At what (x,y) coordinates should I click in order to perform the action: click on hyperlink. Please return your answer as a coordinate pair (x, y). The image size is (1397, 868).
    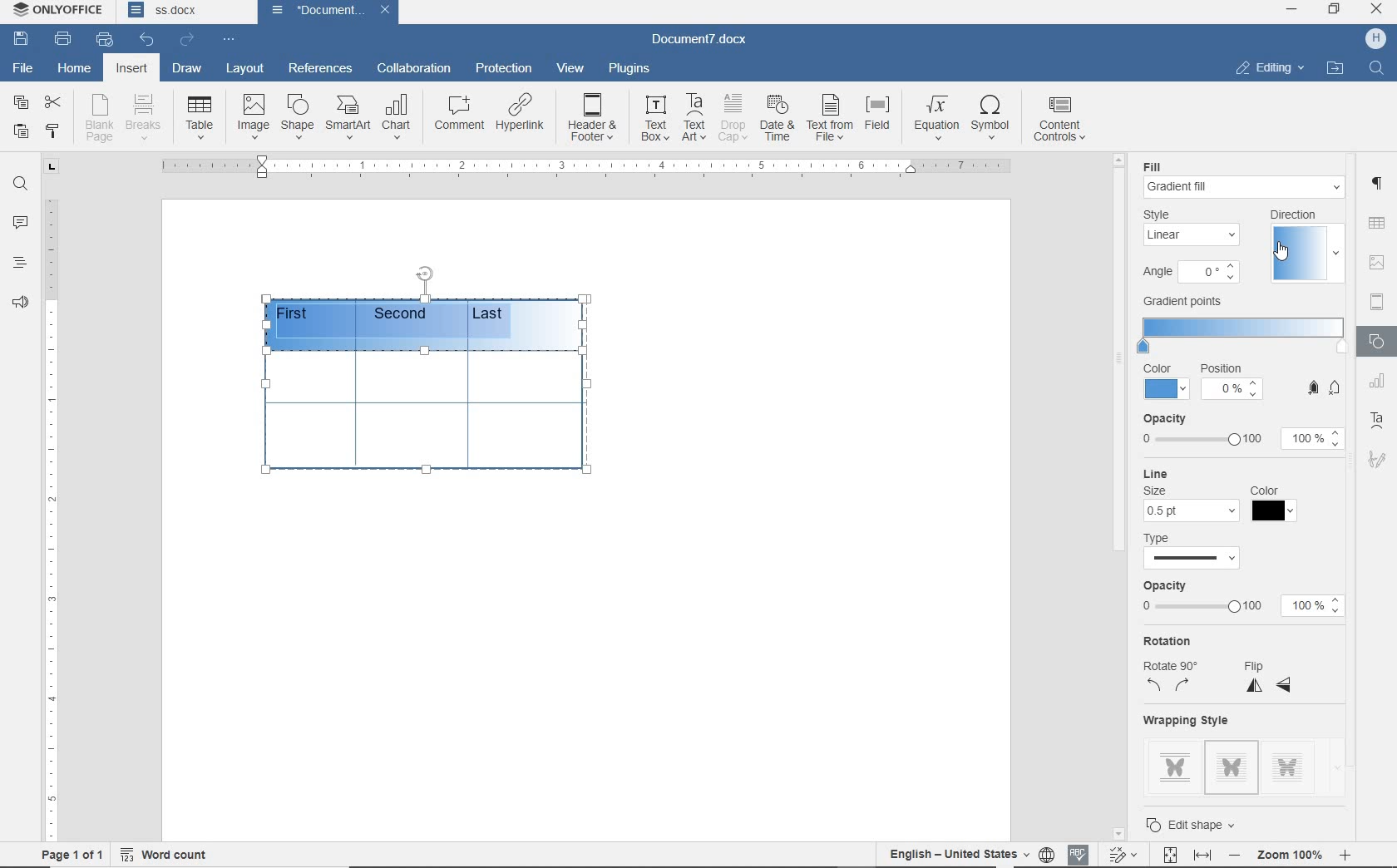
    Looking at the image, I should click on (522, 116).